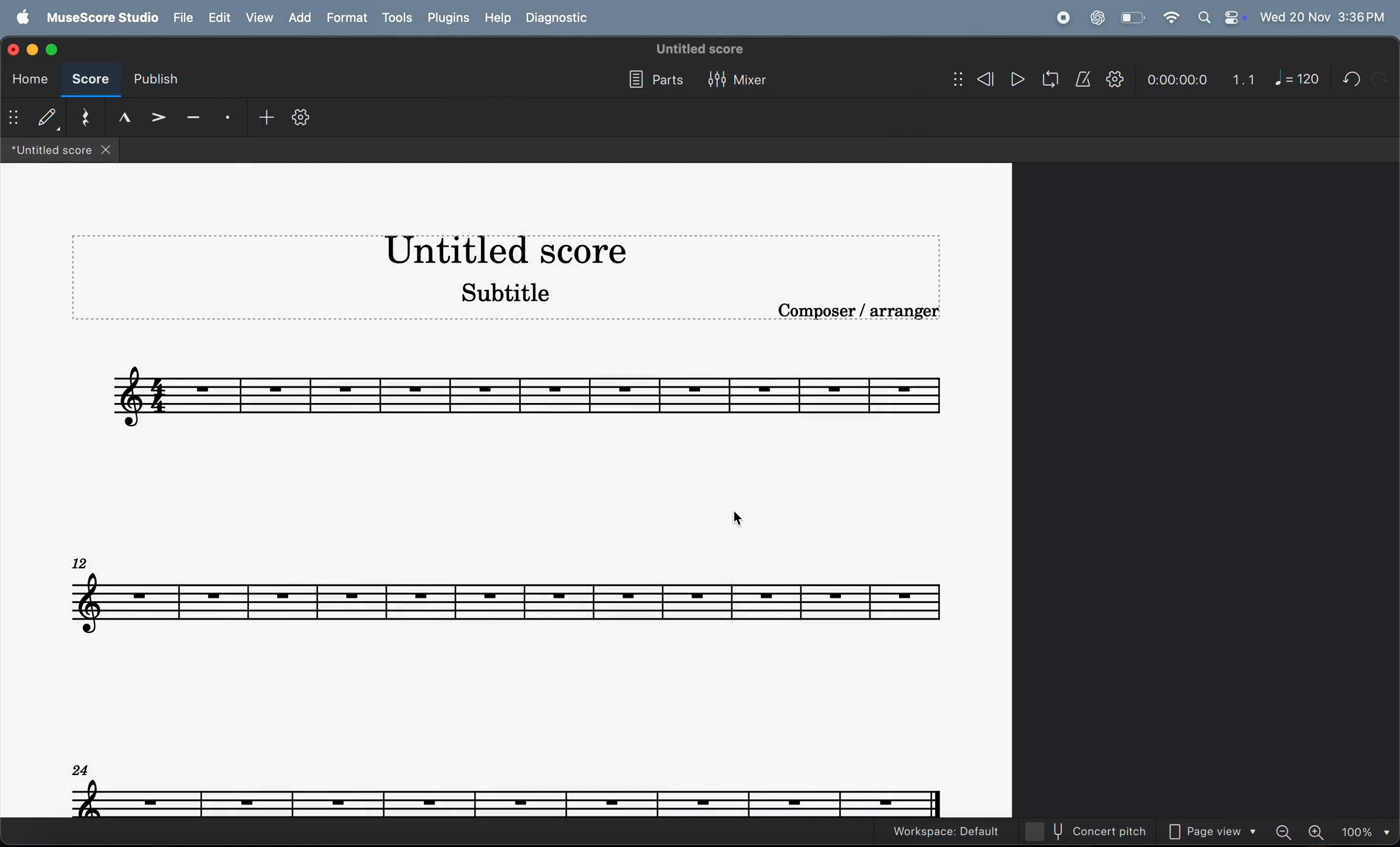 Image resolution: width=1400 pixels, height=847 pixels. I want to click on cursor, so click(752, 523).